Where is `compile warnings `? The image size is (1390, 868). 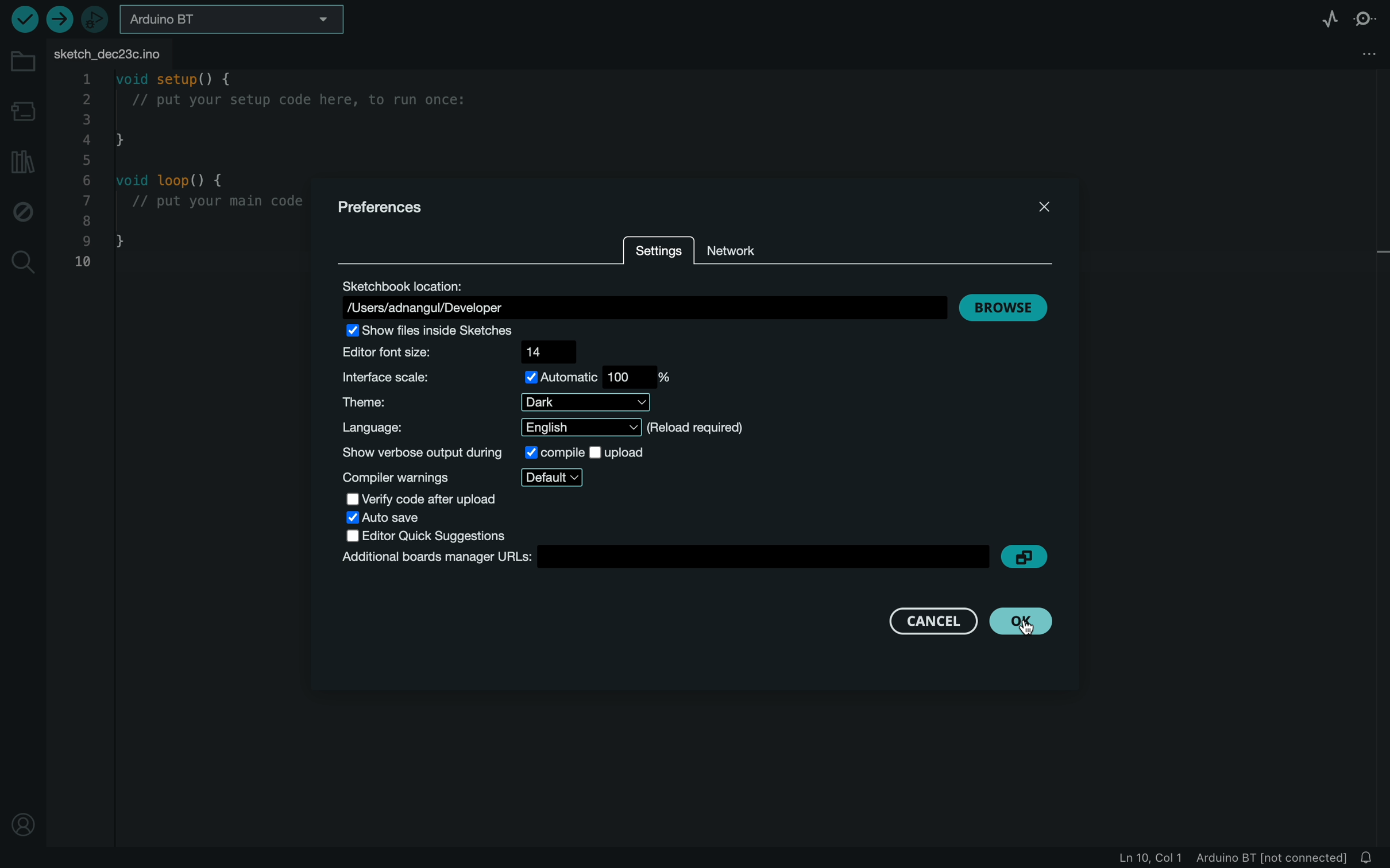
compile warnings  is located at coordinates (458, 478).